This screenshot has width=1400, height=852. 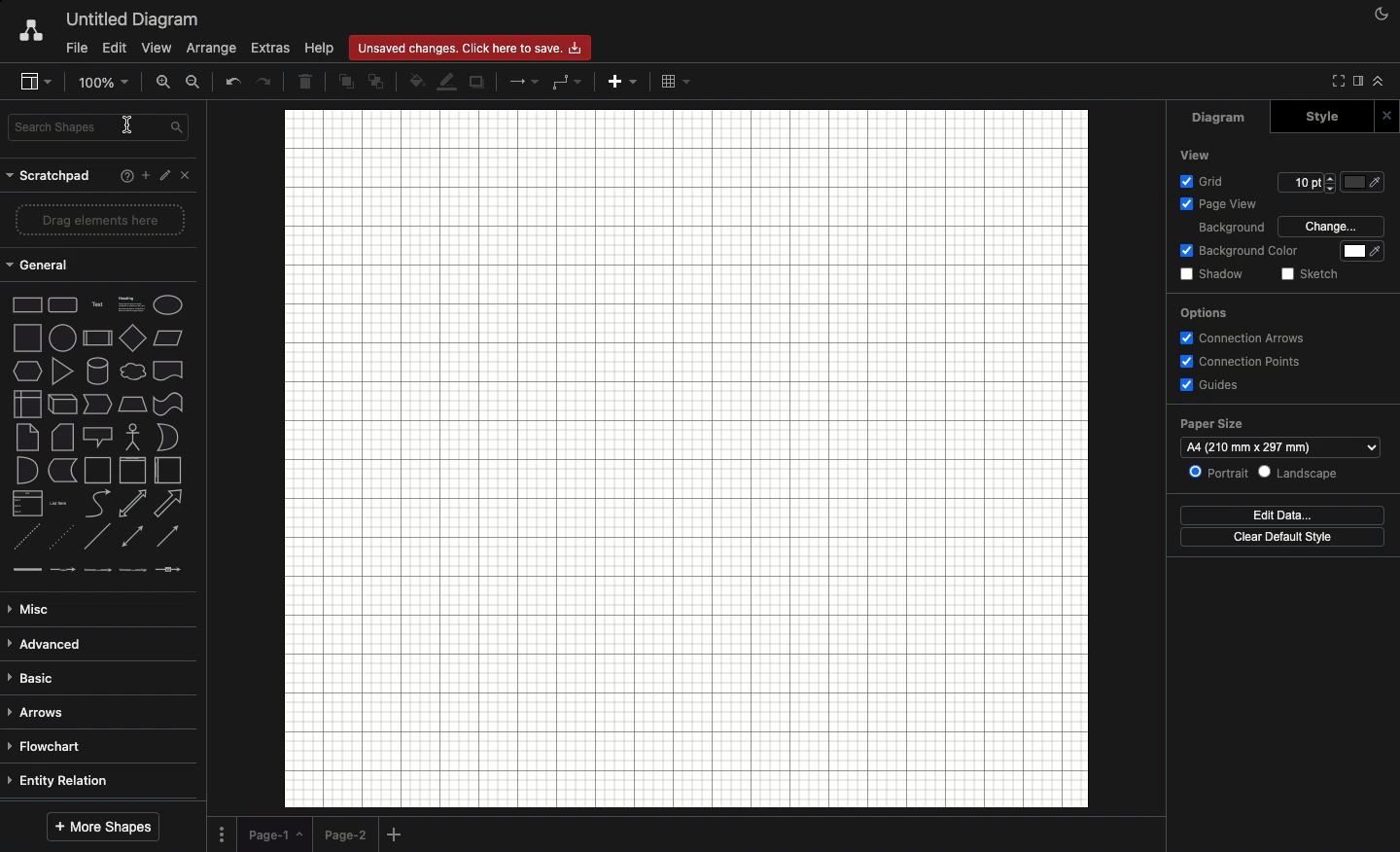 I want to click on Extras, so click(x=271, y=49).